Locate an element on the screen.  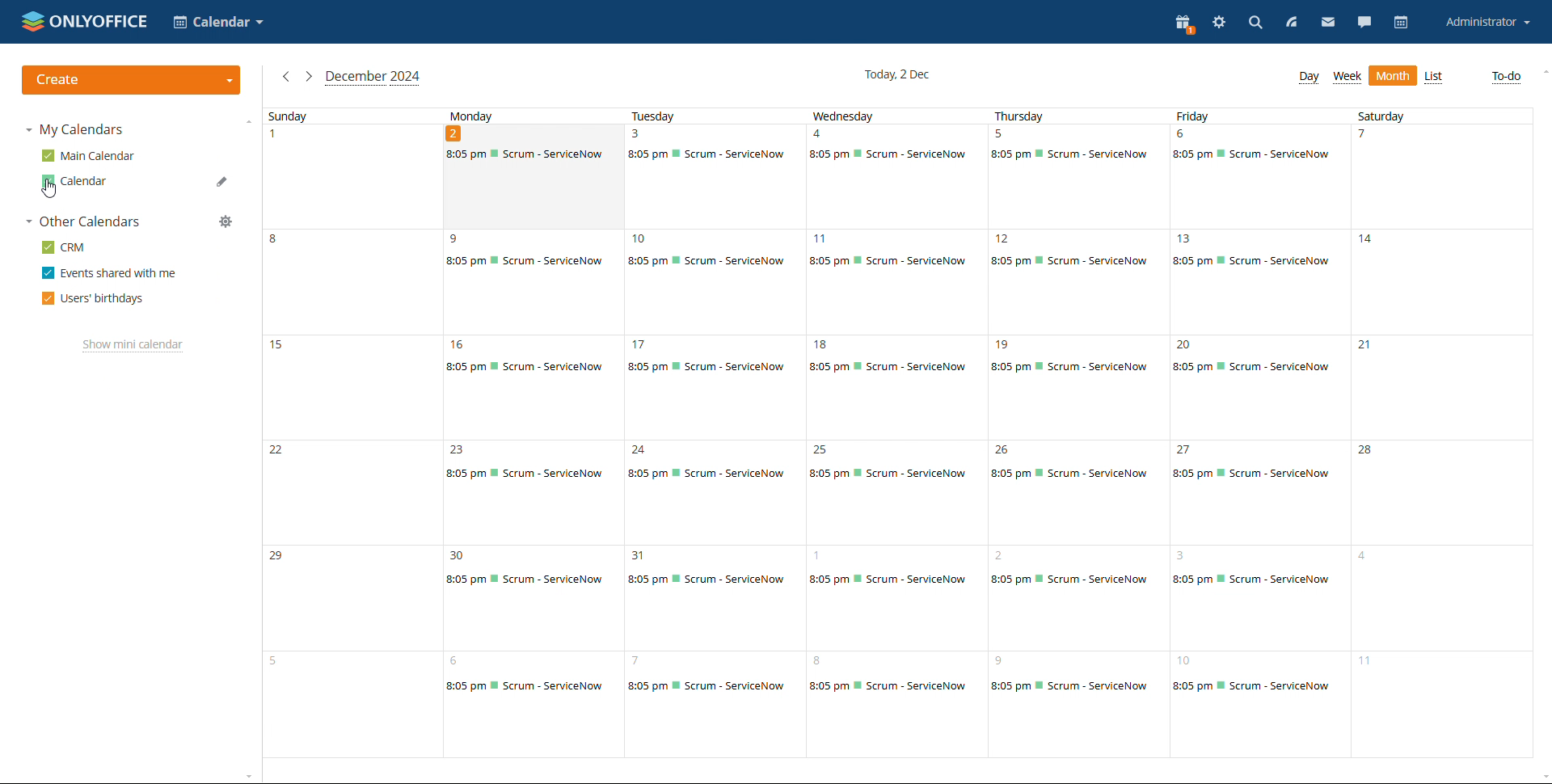
select application is located at coordinates (220, 23).